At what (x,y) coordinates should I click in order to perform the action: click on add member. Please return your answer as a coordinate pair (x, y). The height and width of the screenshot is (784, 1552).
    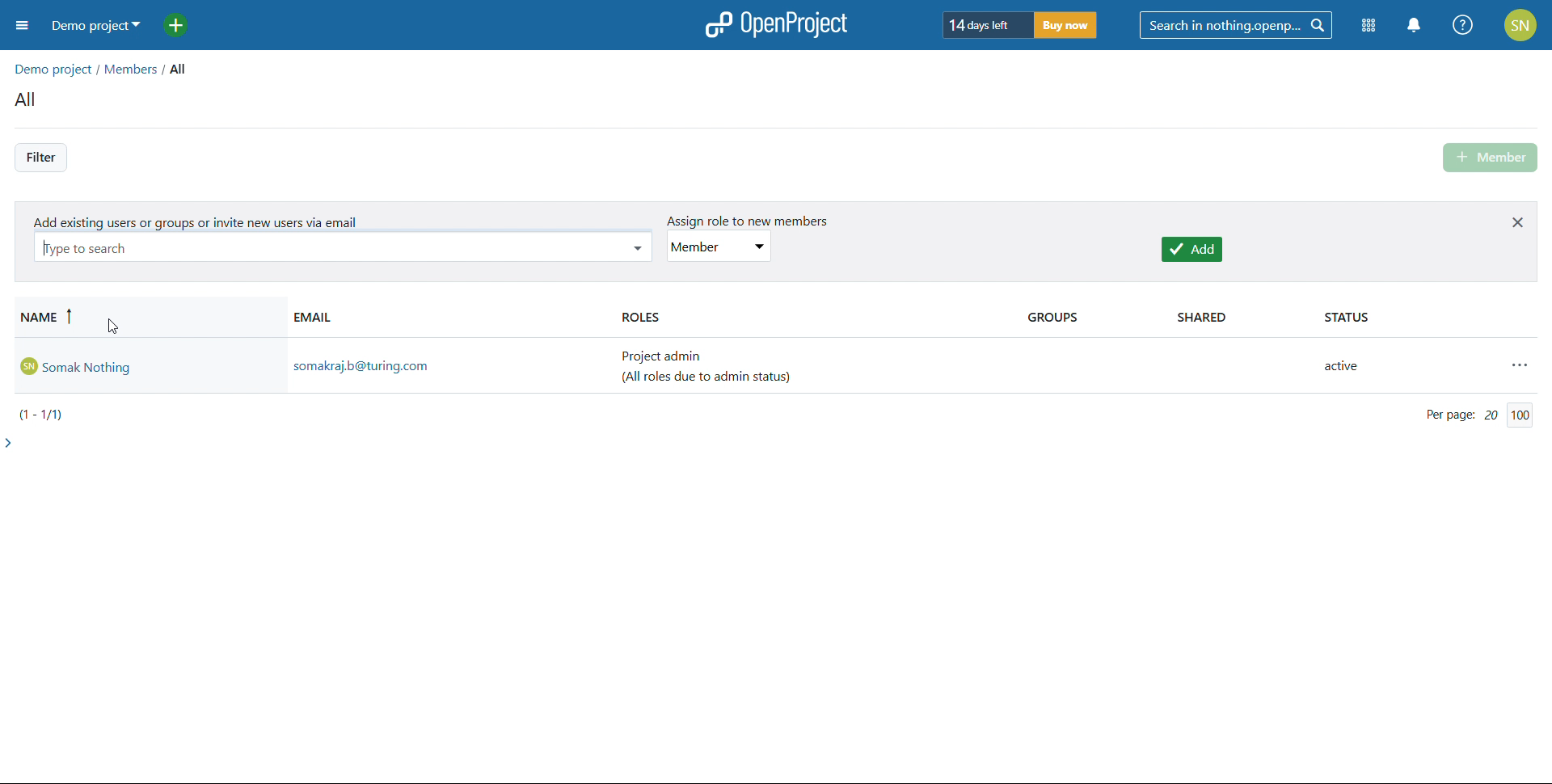
    Looking at the image, I should click on (1492, 158).